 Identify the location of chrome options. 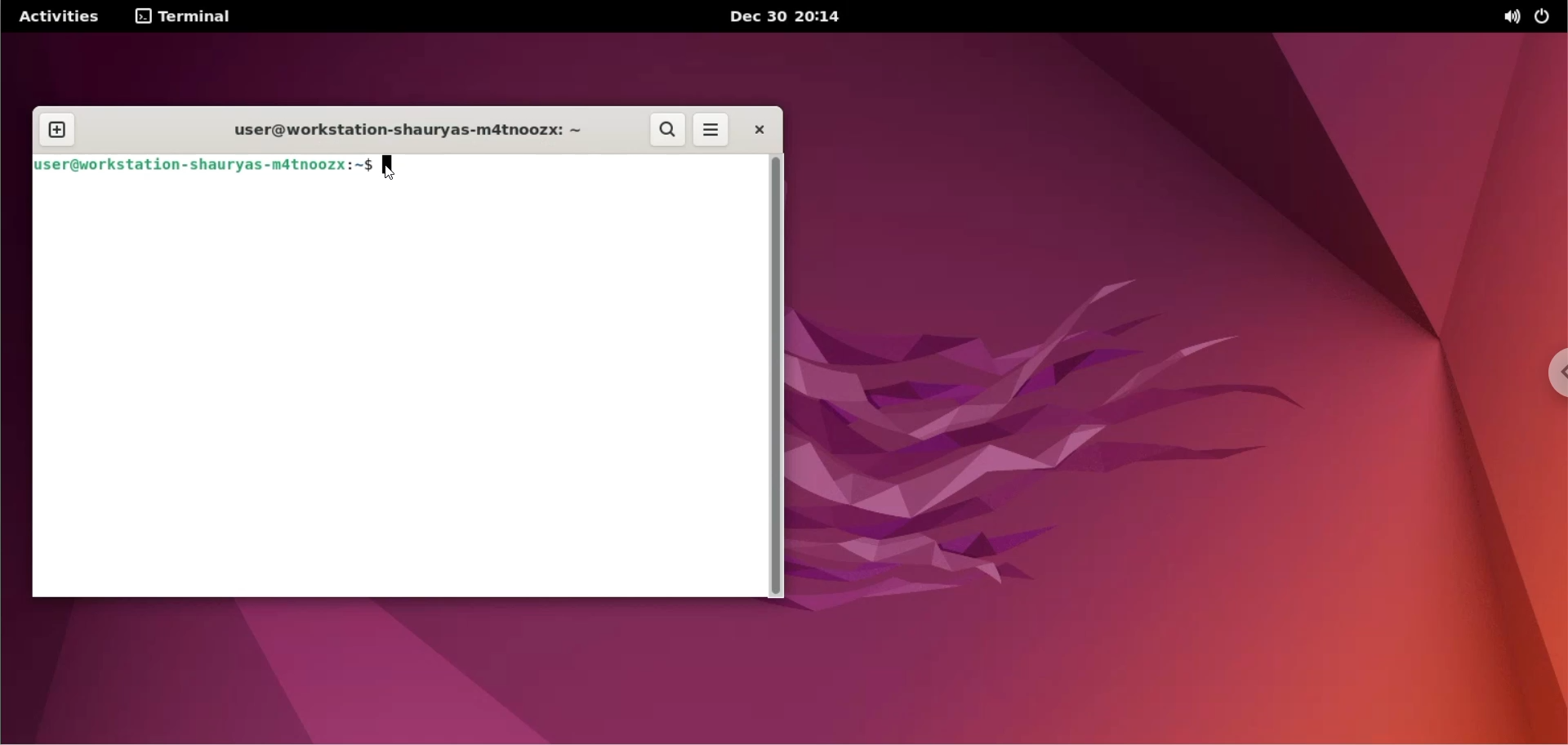
(1547, 368).